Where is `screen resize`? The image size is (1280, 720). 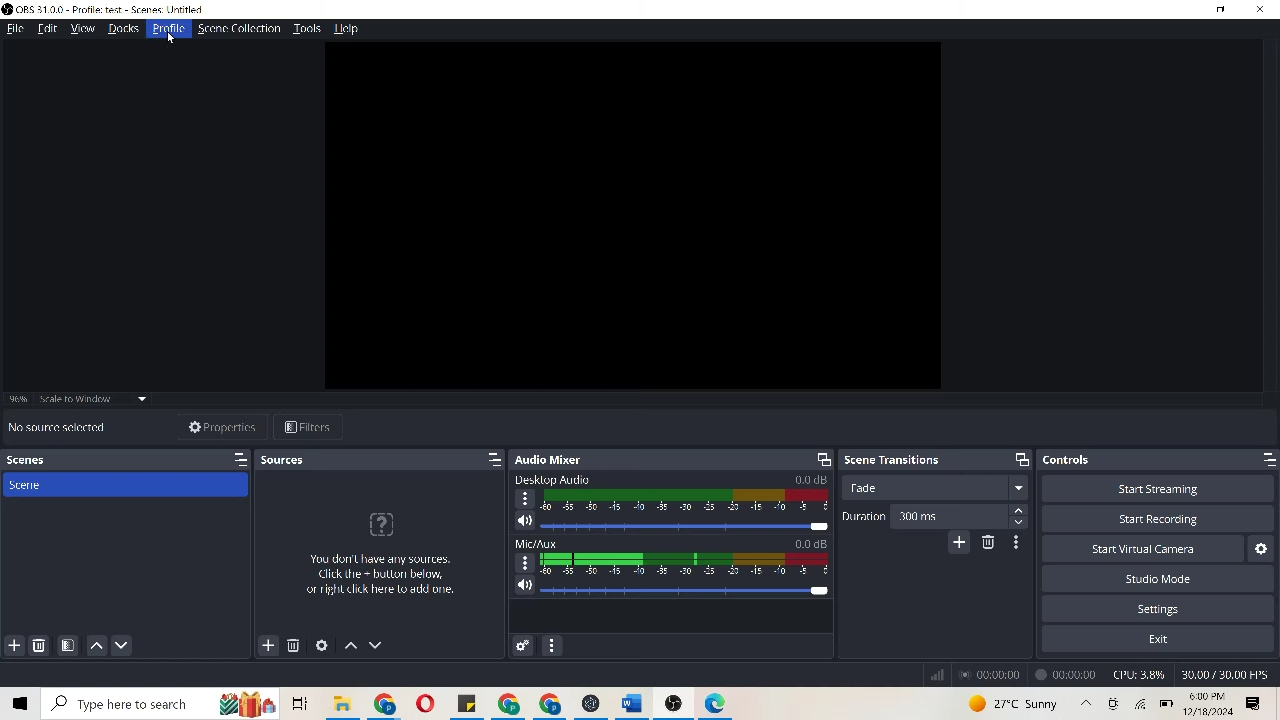
screen resize is located at coordinates (817, 459).